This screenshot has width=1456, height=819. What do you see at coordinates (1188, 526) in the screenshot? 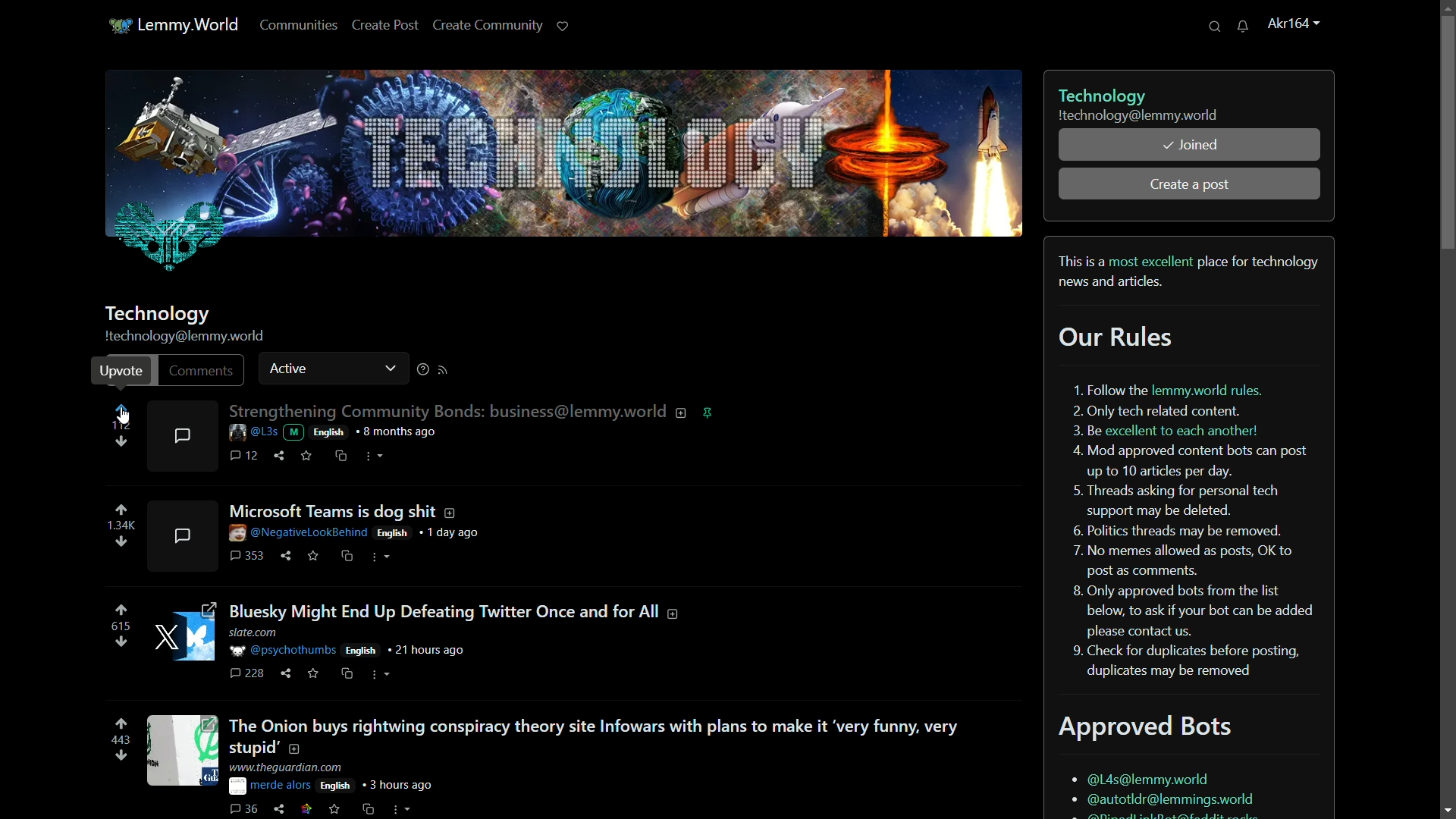
I see `rules` at bounding box center [1188, 526].